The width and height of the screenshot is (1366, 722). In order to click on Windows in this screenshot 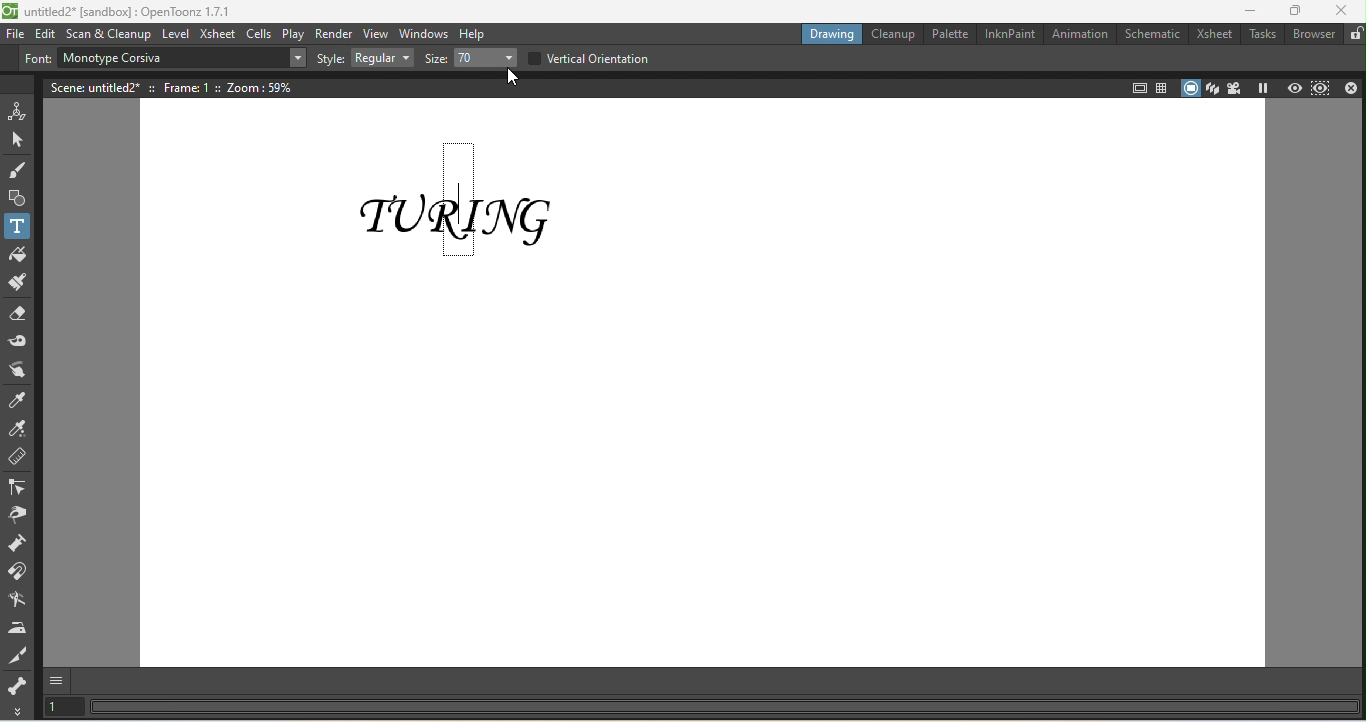, I will do `click(424, 35)`.